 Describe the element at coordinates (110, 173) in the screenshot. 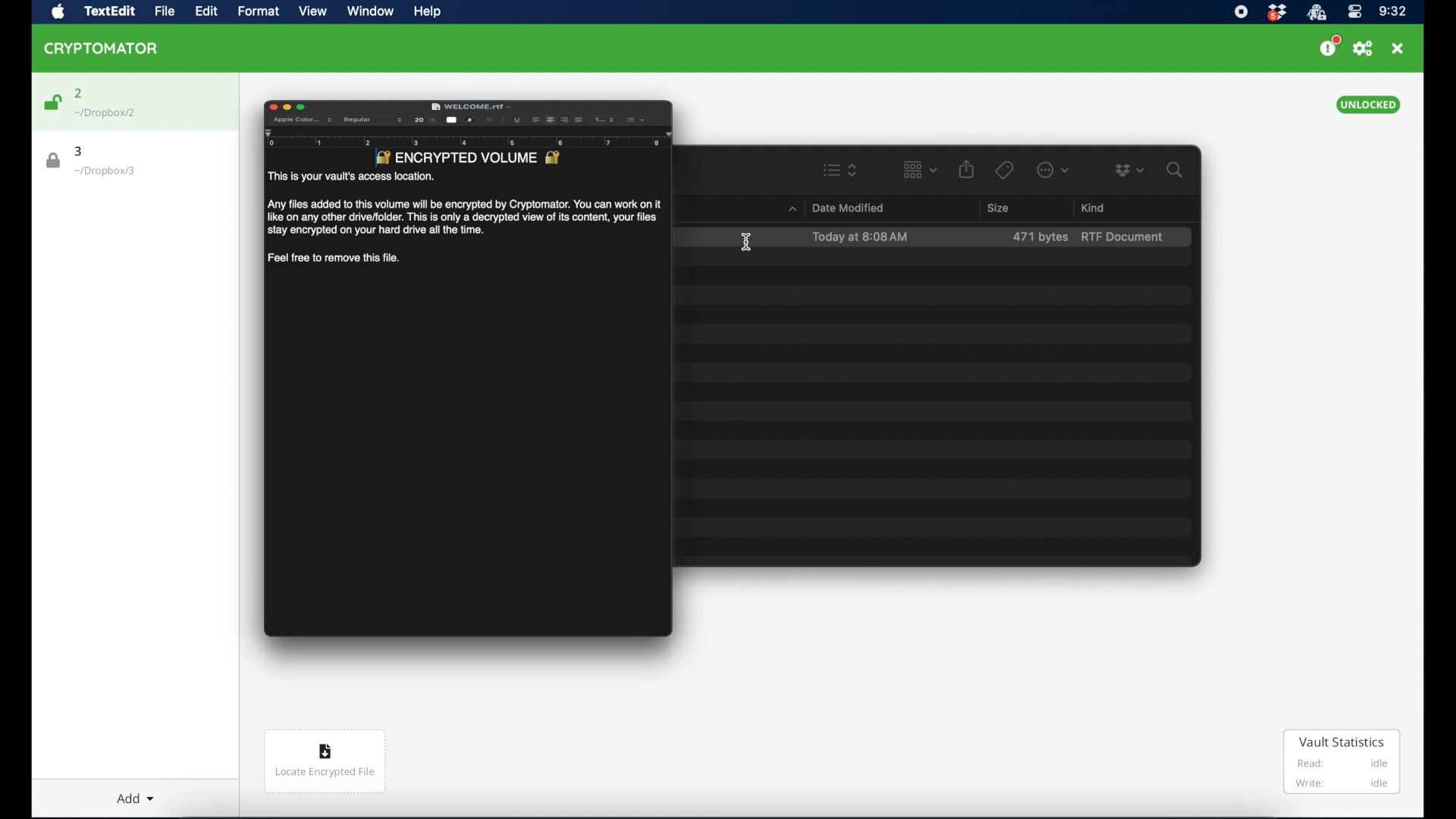

I see `vault location` at that location.